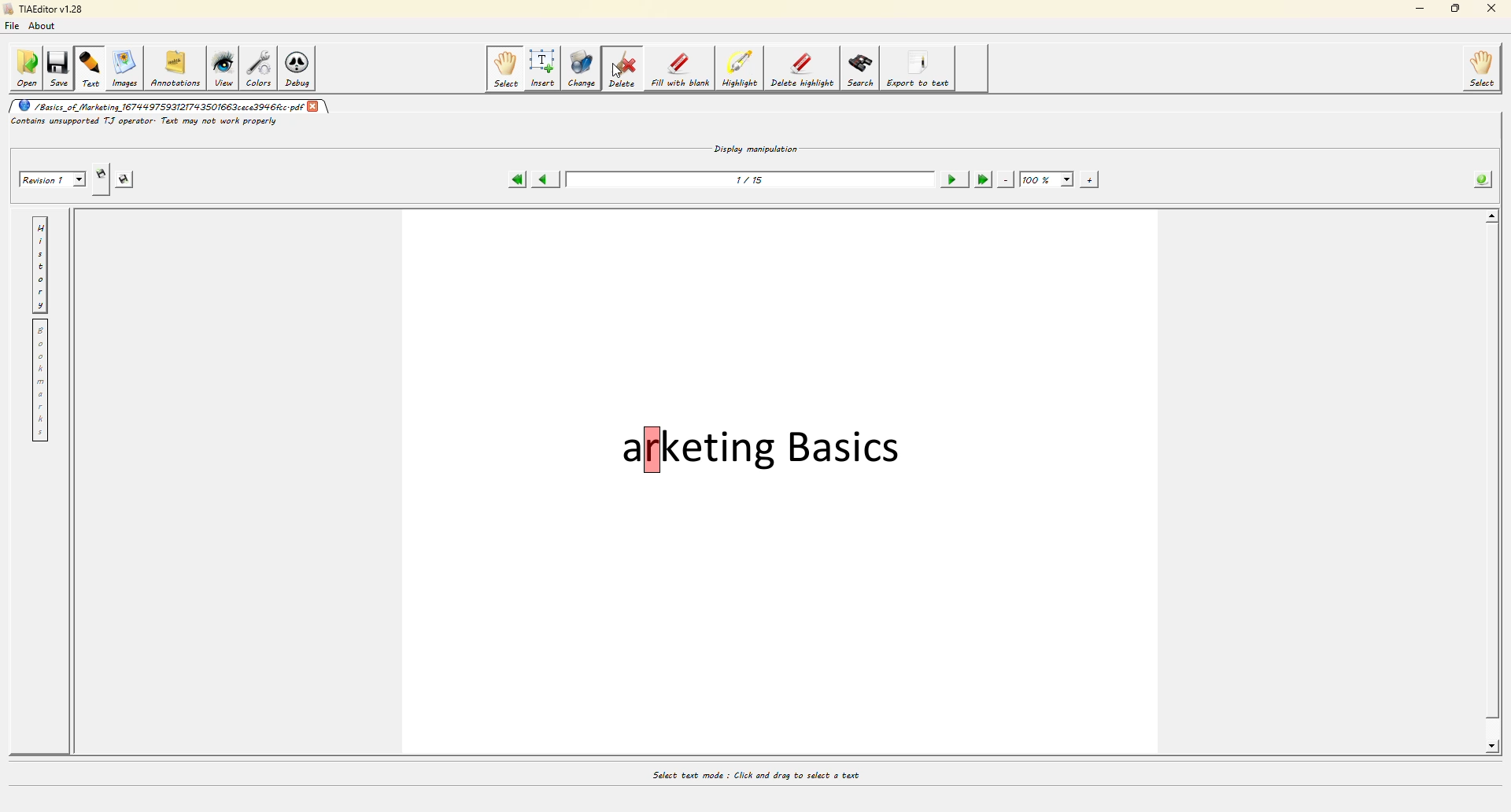  Describe the element at coordinates (39, 381) in the screenshot. I see `bookmarks` at that location.